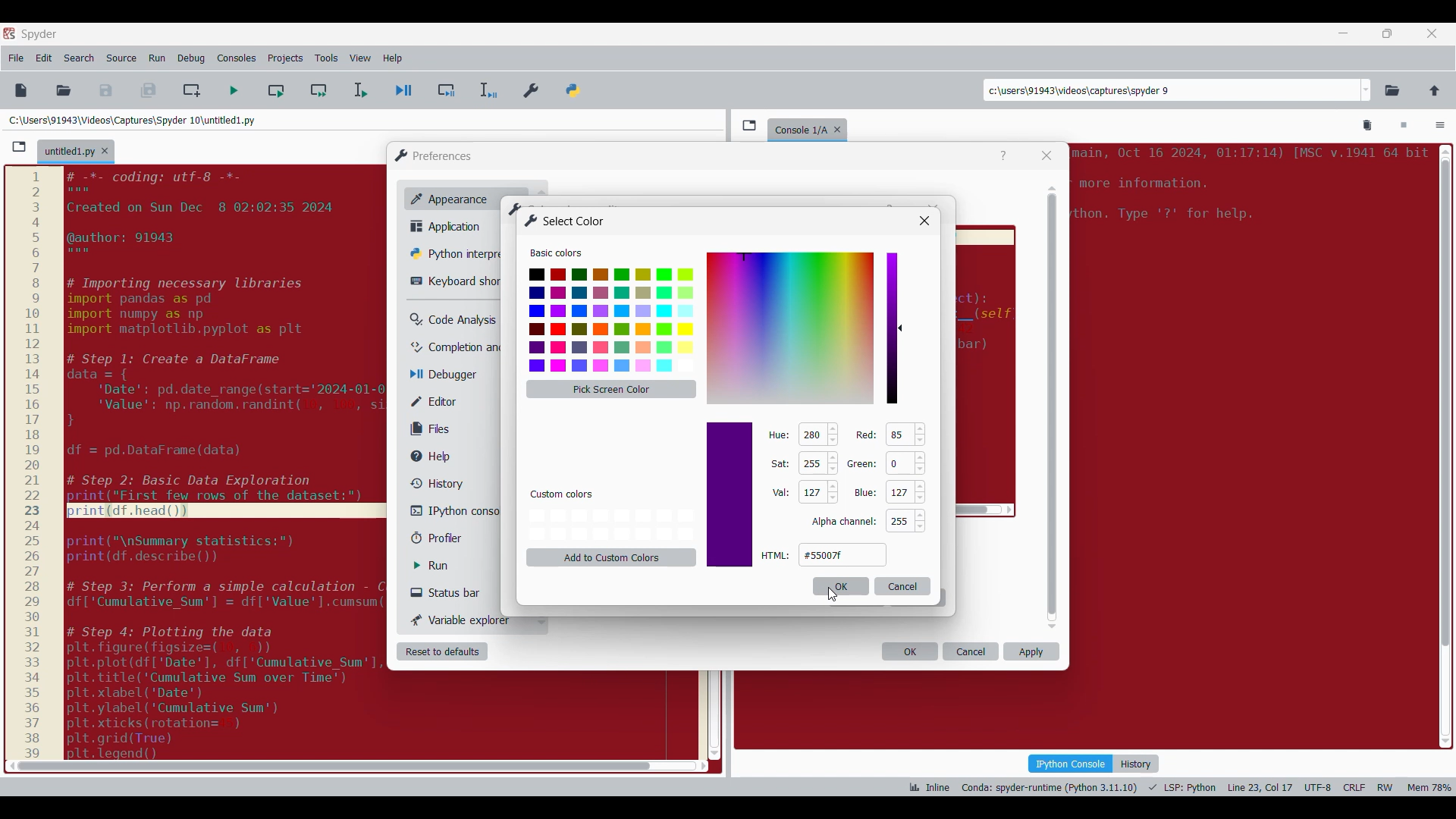 The width and height of the screenshot is (1456, 819). I want to click on OK, so click(910, 651).